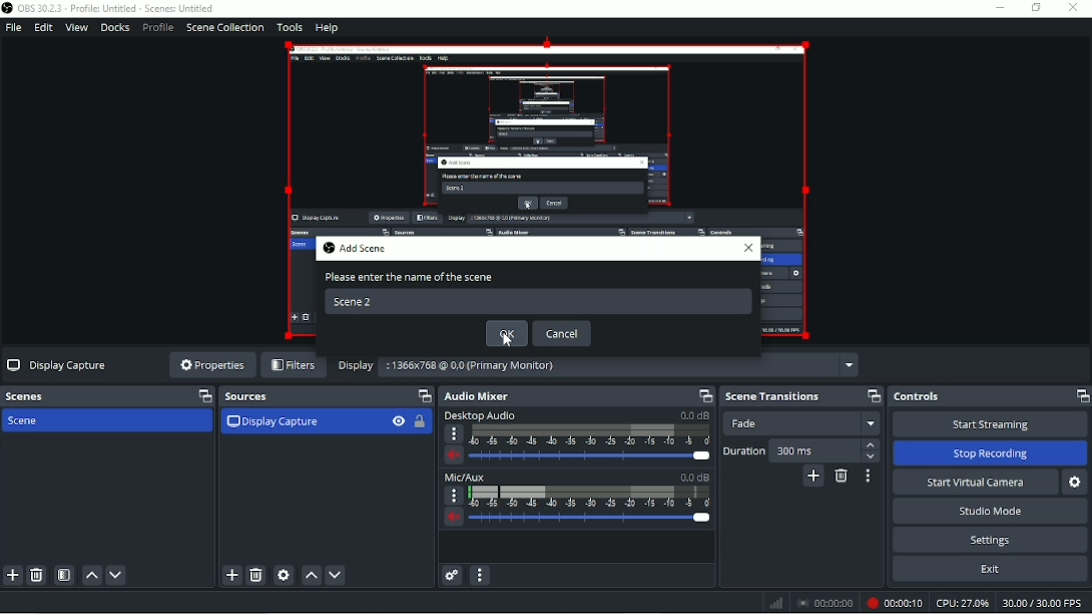 This screenshot has width=1092, height=614. Describe the element at coordinates (423, 423) in the screenshot. I see `Lock` at that location.